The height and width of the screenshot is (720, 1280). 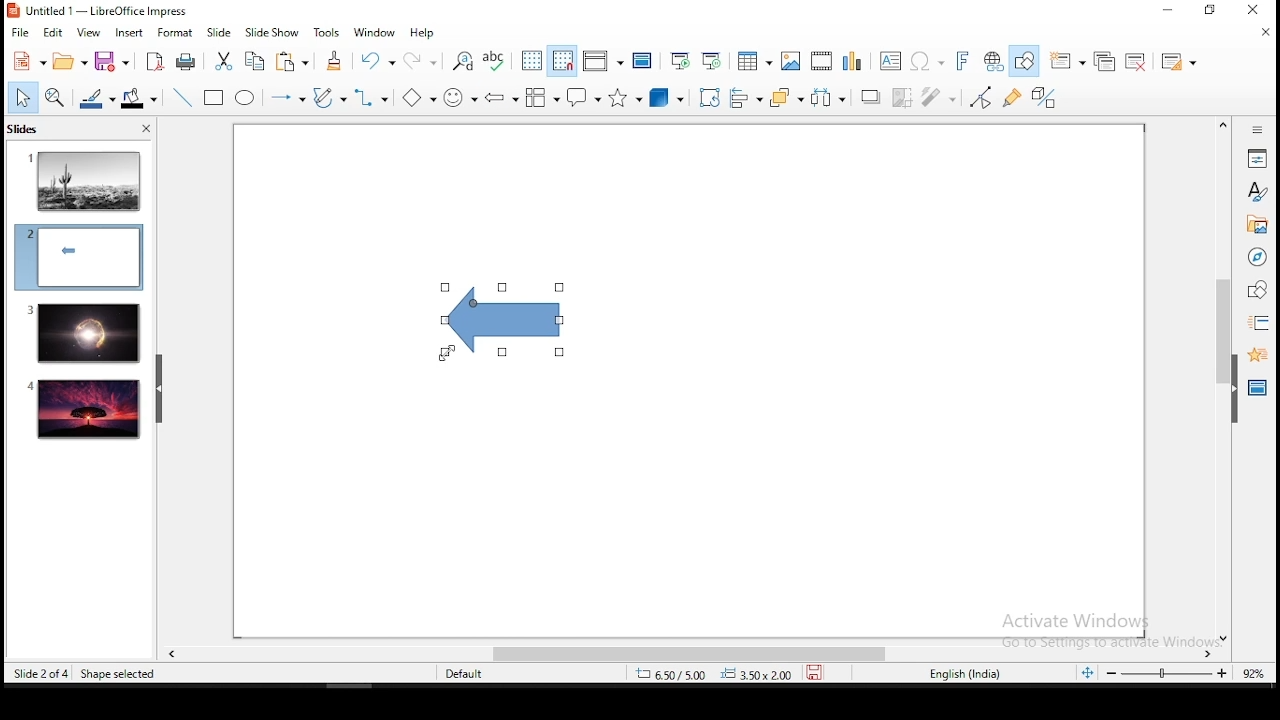 I want to click on arrange, so click(x=789, y=99).